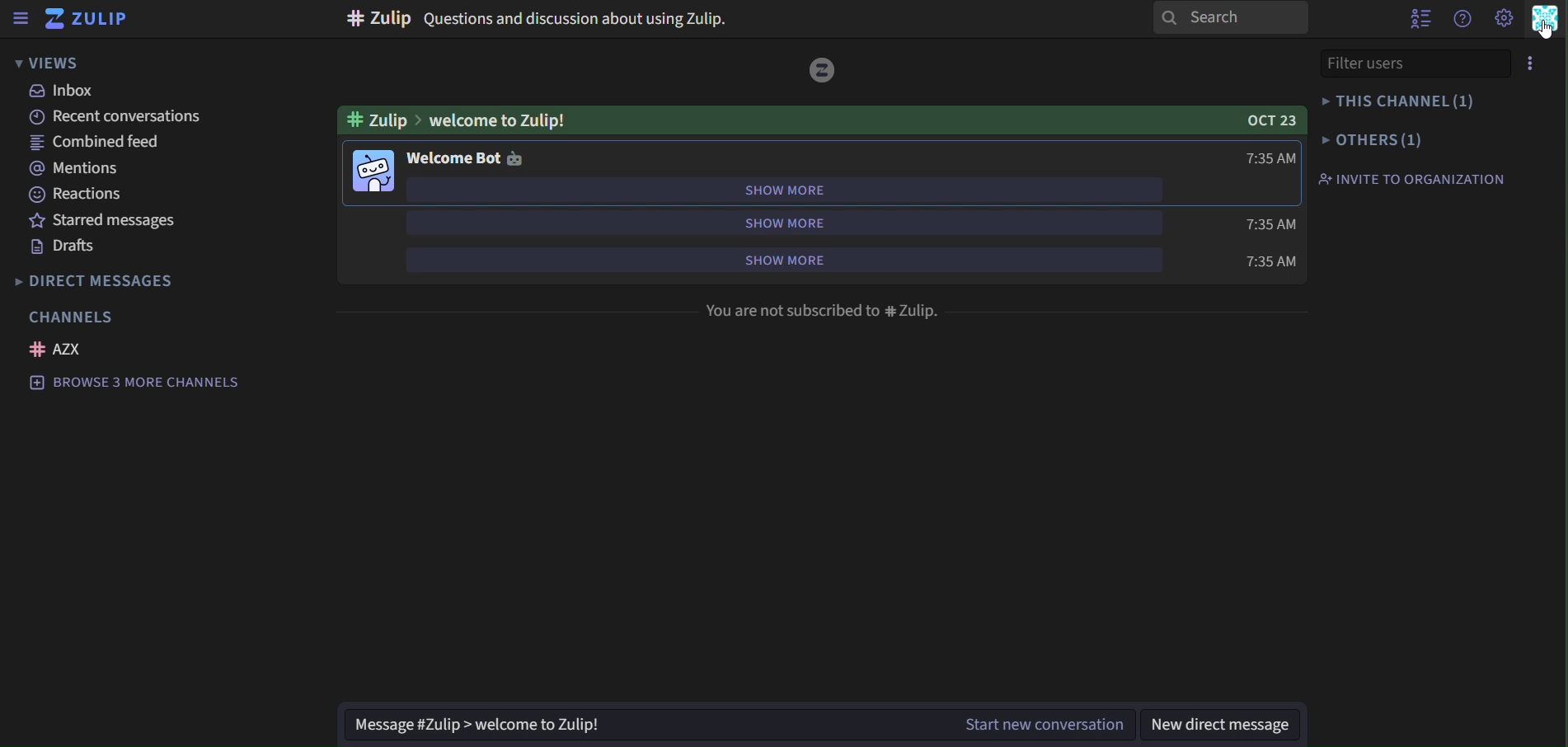  I want to click on browse 3 more channels, so click(153, 382).